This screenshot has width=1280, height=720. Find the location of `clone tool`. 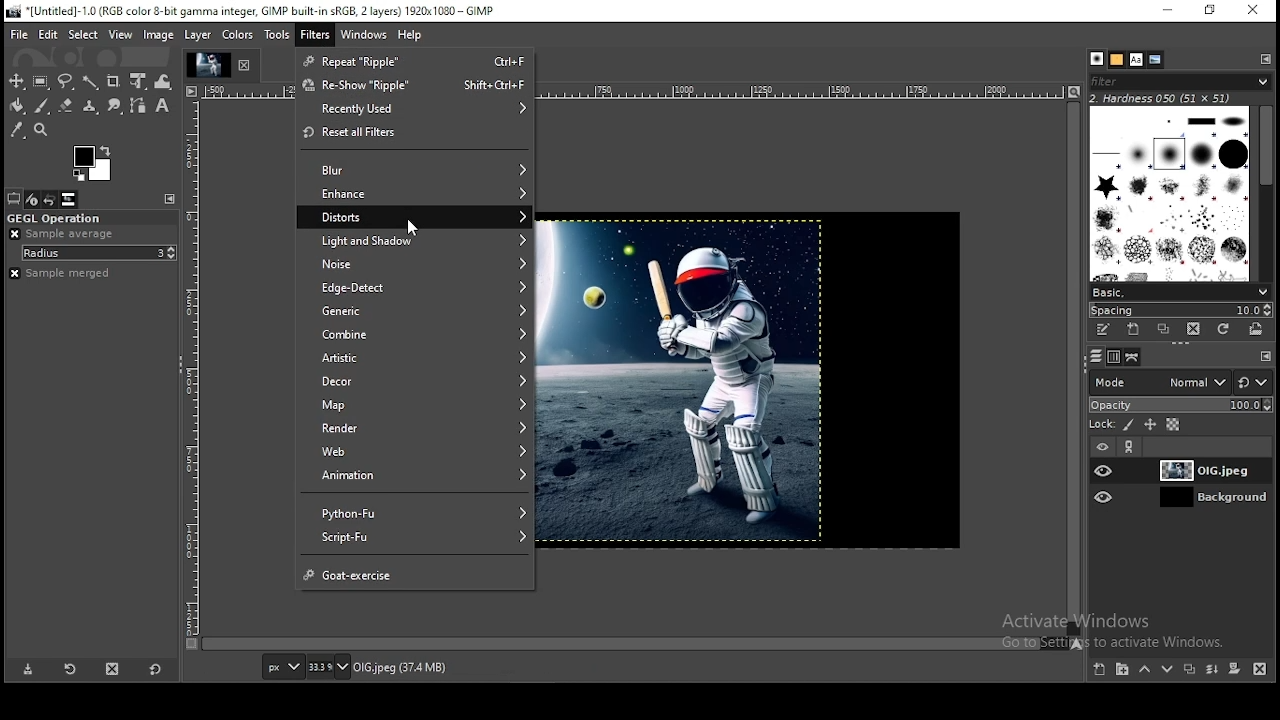

clone tool is located at coordinates (91, 107).